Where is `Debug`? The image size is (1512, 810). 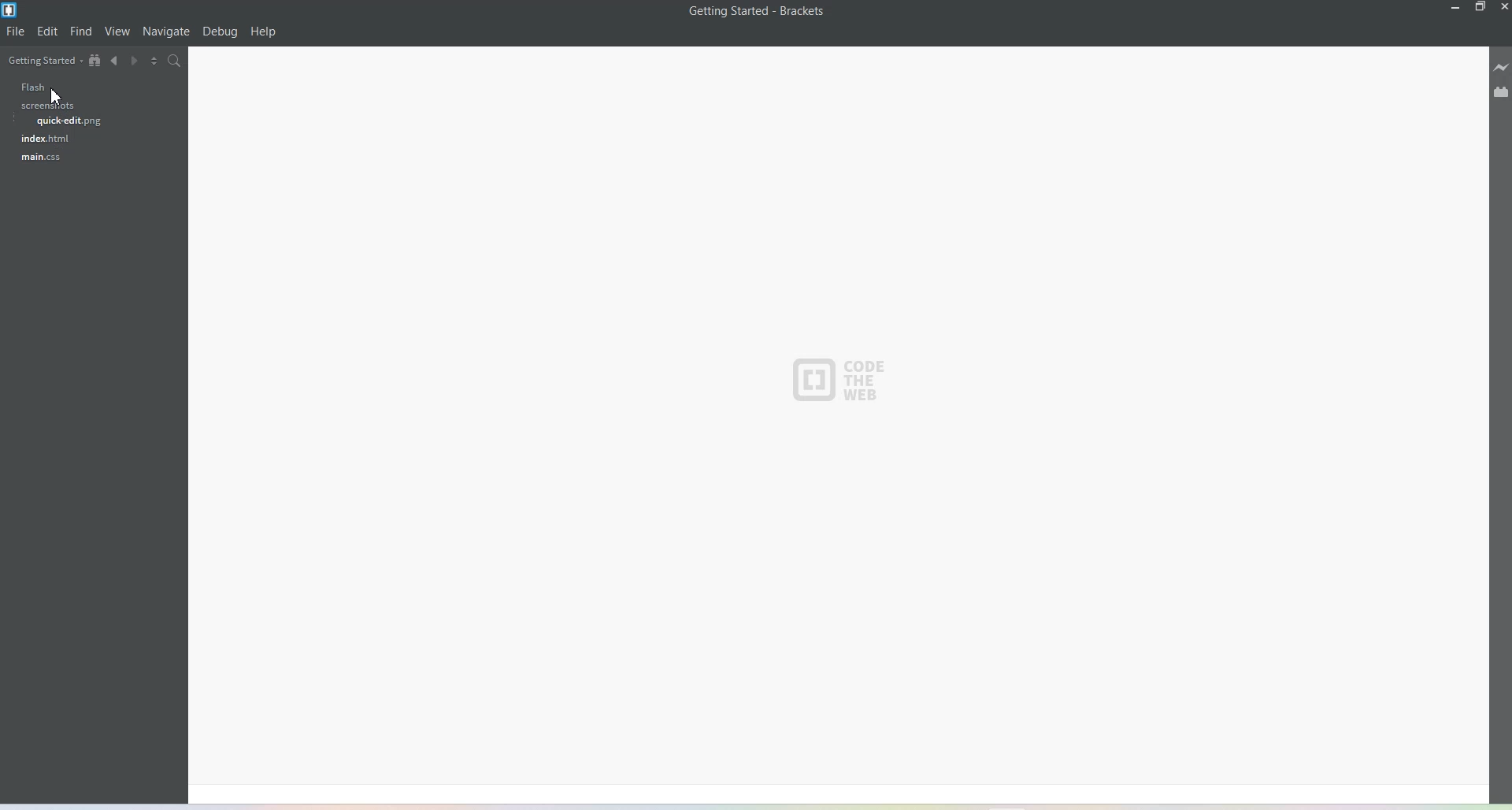
Debug is located at coordinates (220, 32).